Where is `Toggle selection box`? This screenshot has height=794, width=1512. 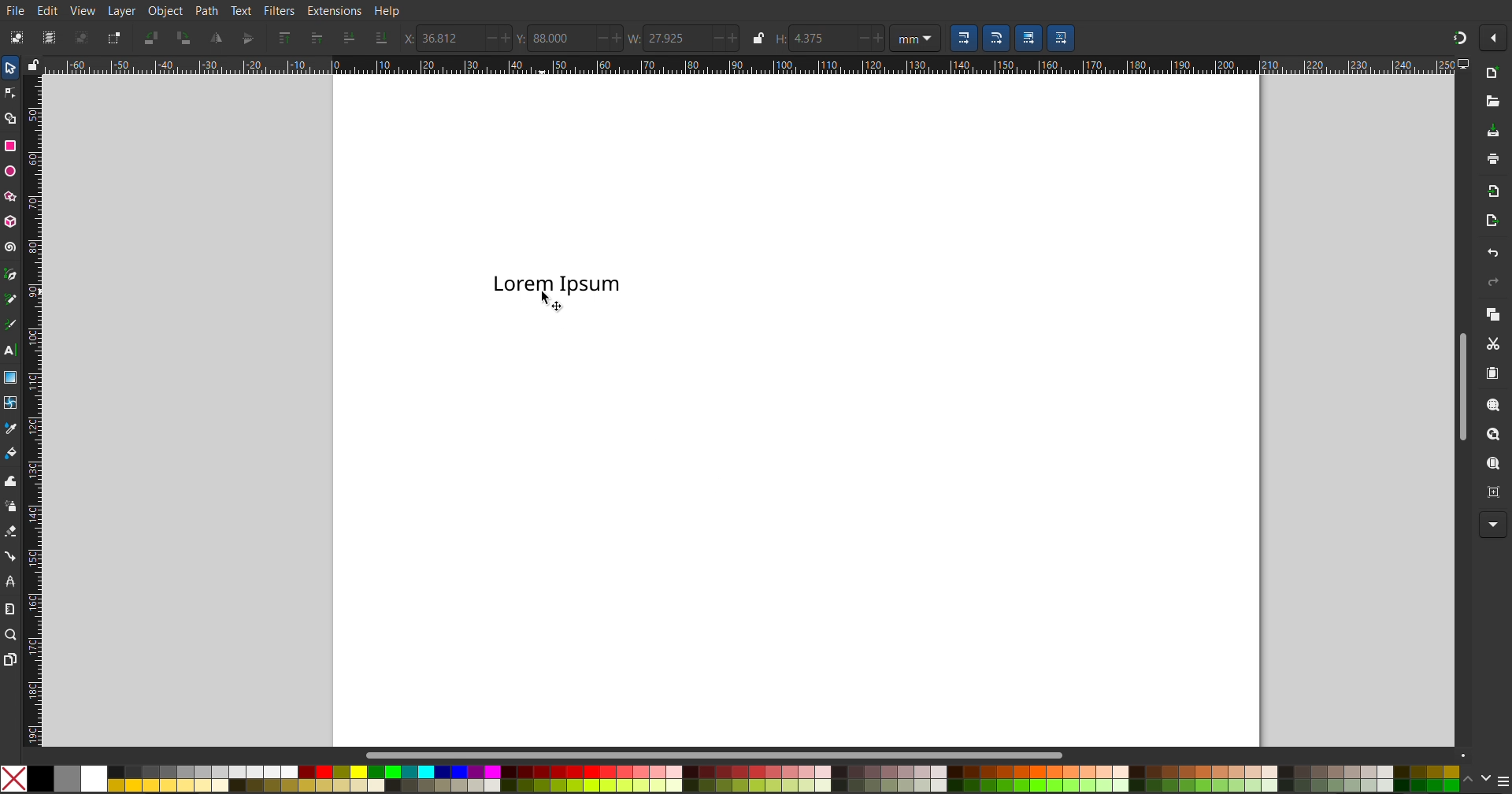 Toggle selection box is located at coordinates (113, 38).